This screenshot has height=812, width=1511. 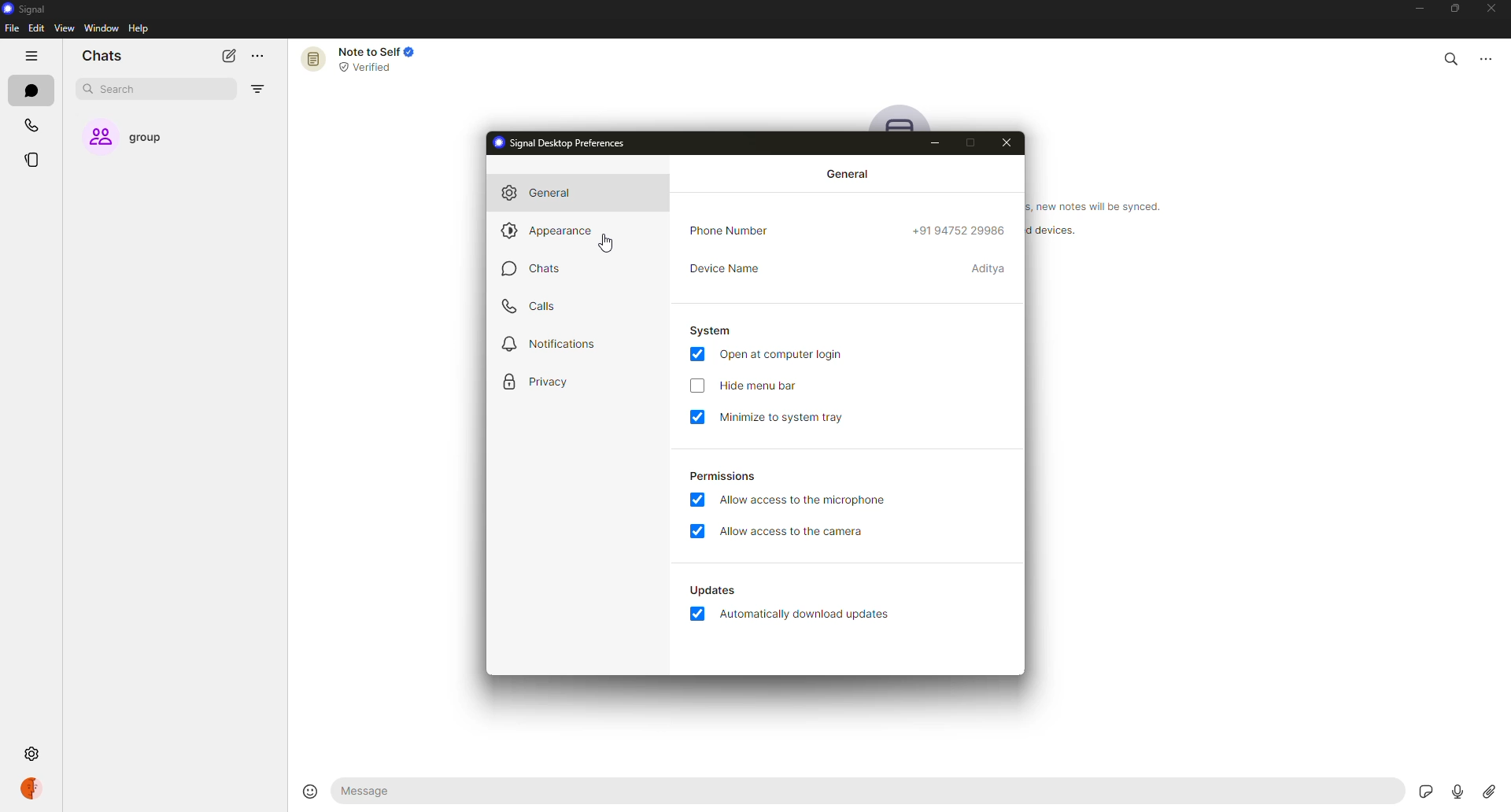 I want to click on more, so click(x=257, y=57).